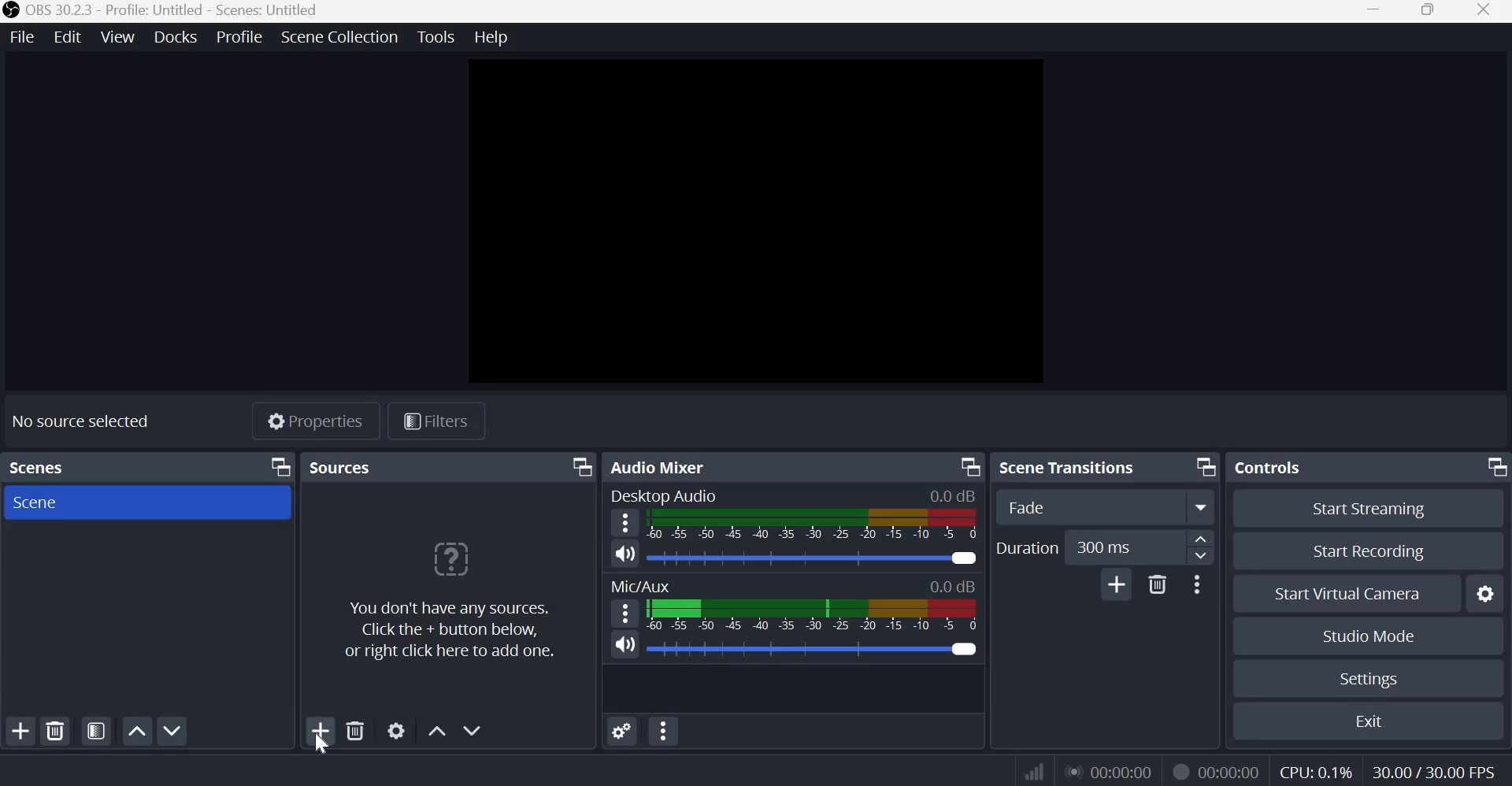 Image resolution: width=1512 pixels, height=786 pixels. I want to click on increase, so click(1202, 539).